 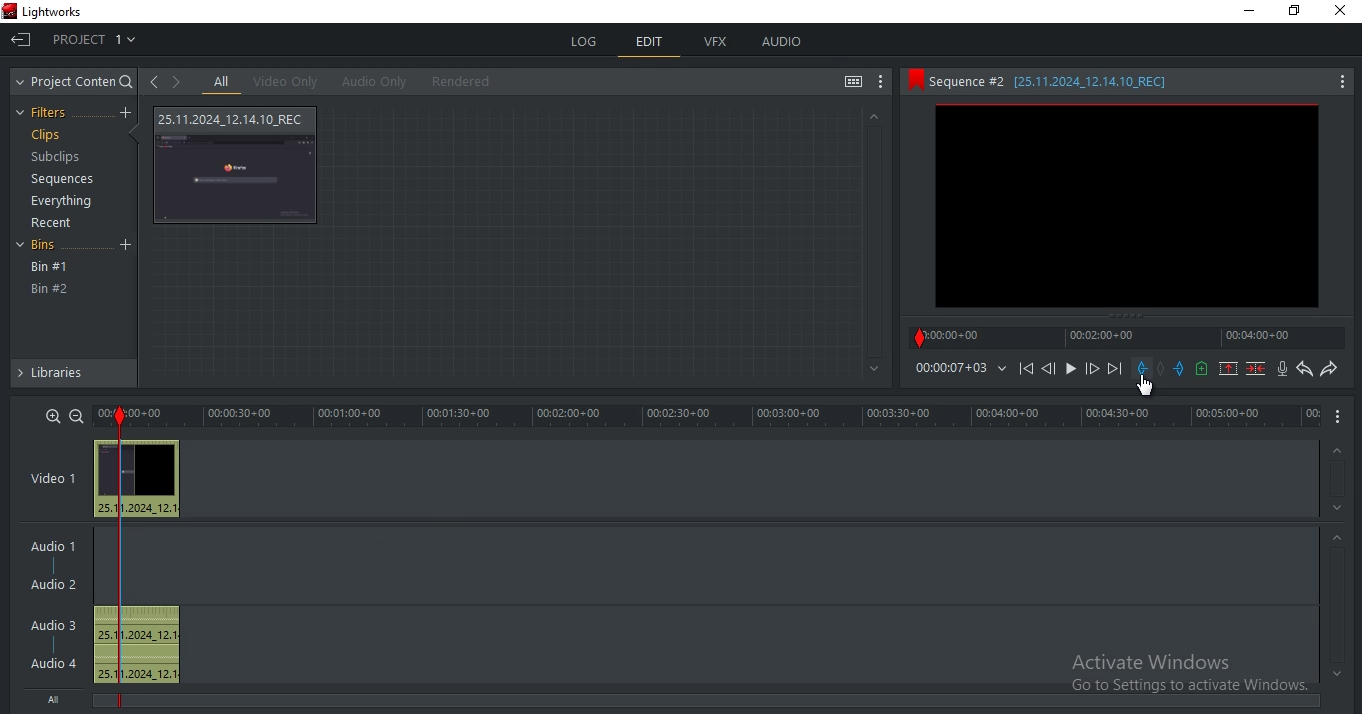 What do you see at coordinates (285, 82) in the screenshot?
I see `video only` at bounding box center [285, 82].